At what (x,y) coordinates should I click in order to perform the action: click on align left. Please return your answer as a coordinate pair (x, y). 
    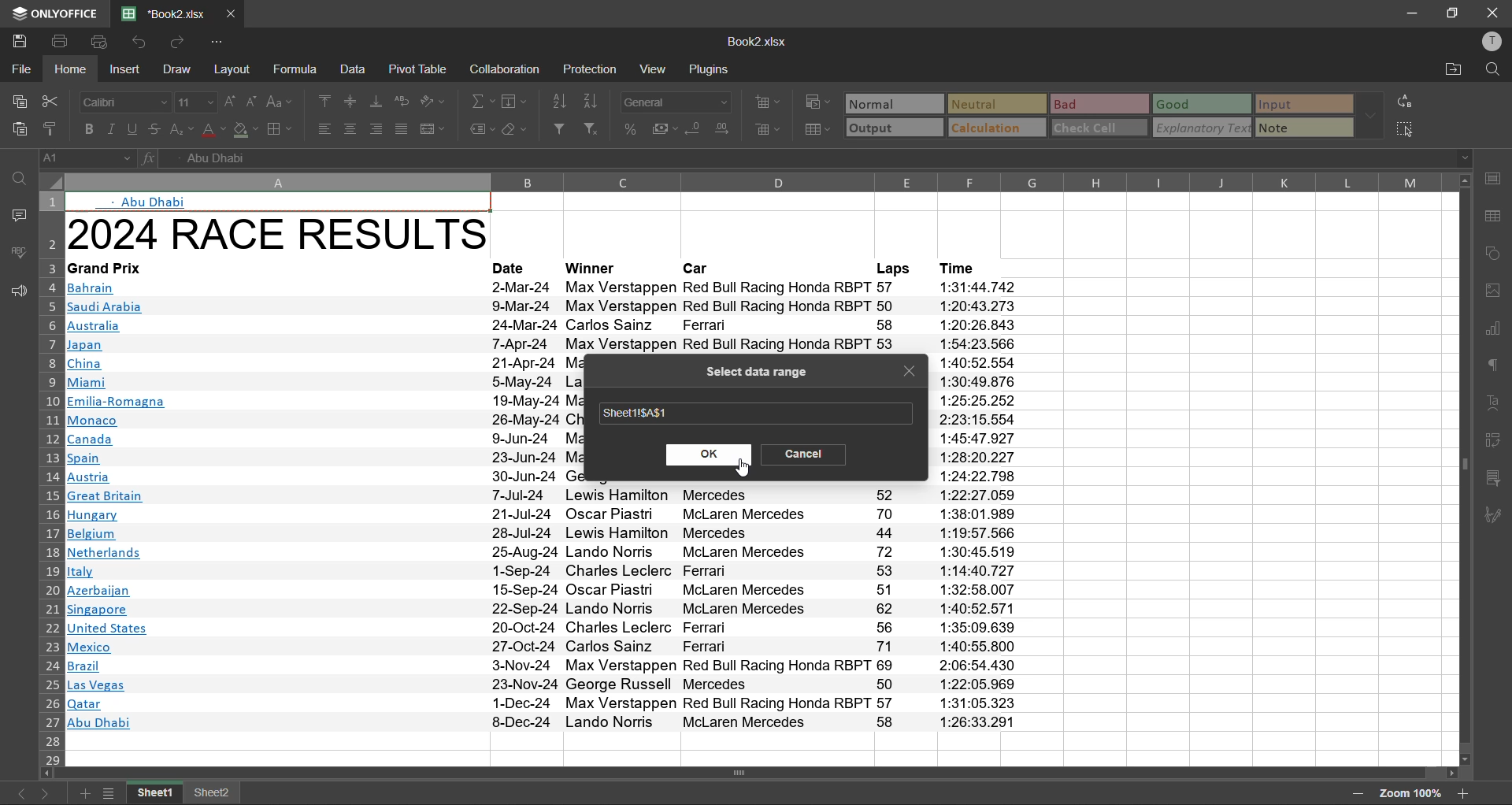
    Looking at the image, I should click on (324, 127).